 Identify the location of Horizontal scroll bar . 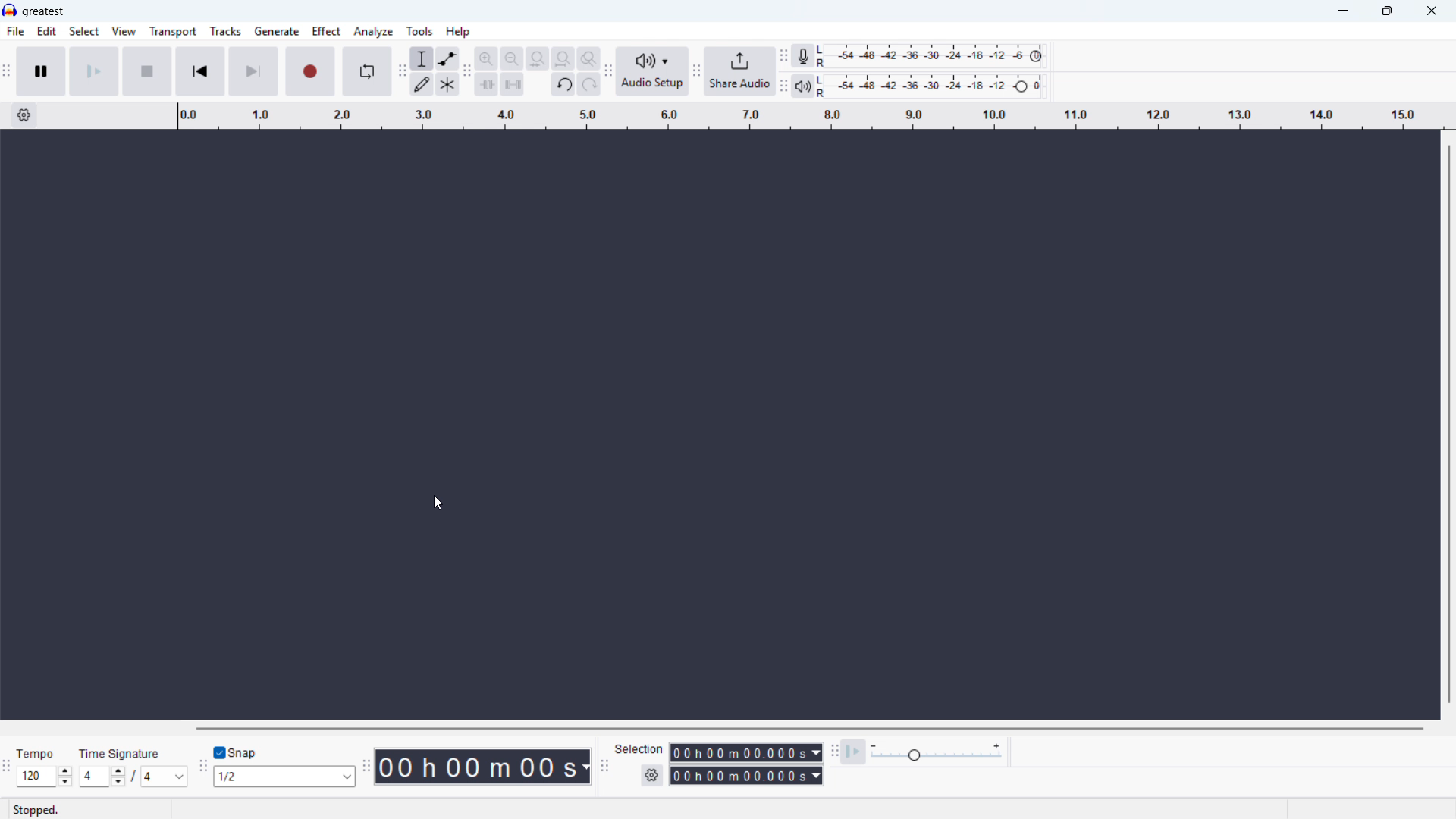
(806, 728).